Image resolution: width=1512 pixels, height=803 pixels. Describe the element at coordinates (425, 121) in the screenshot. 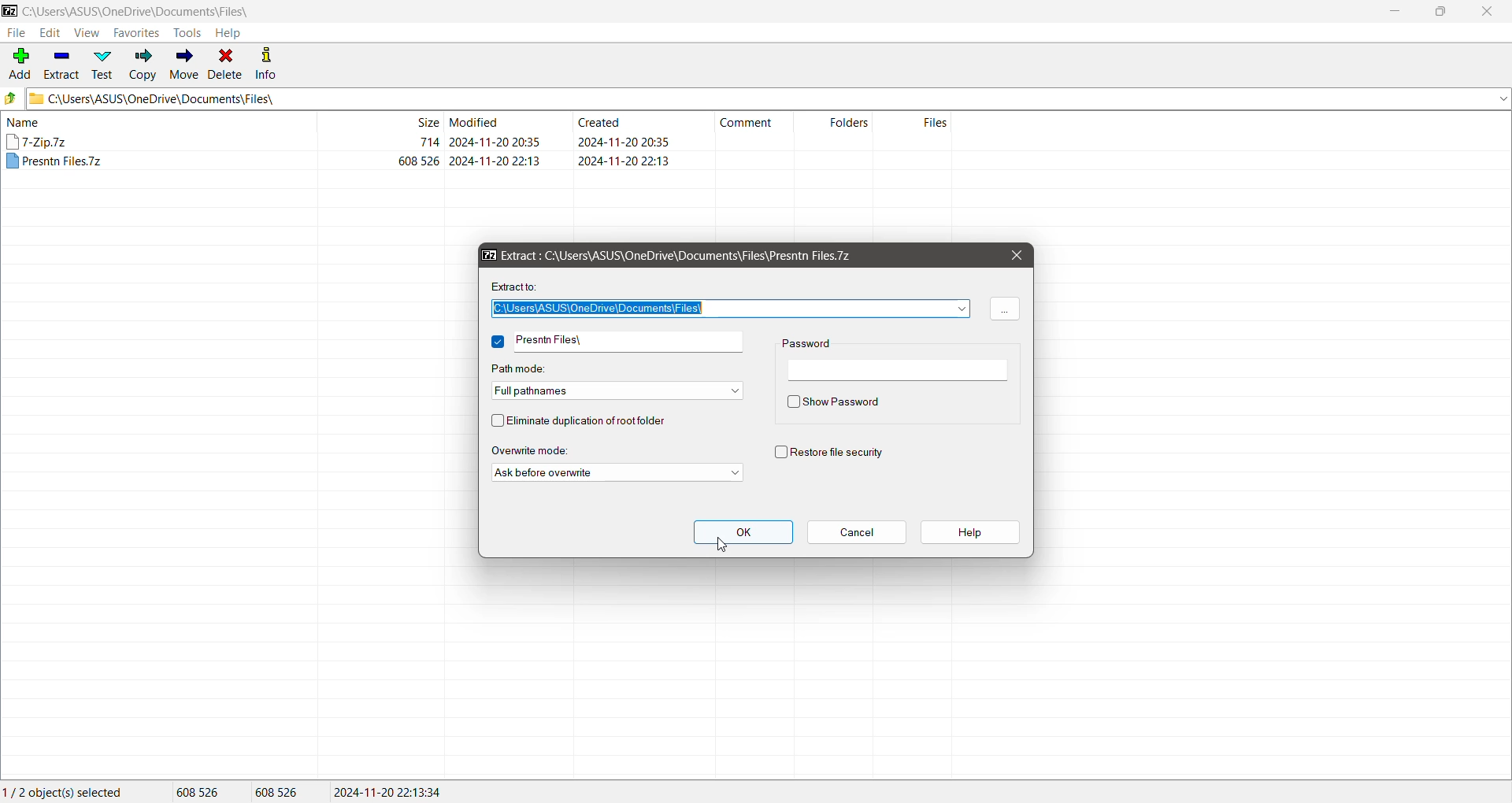

I see `size` at that location.